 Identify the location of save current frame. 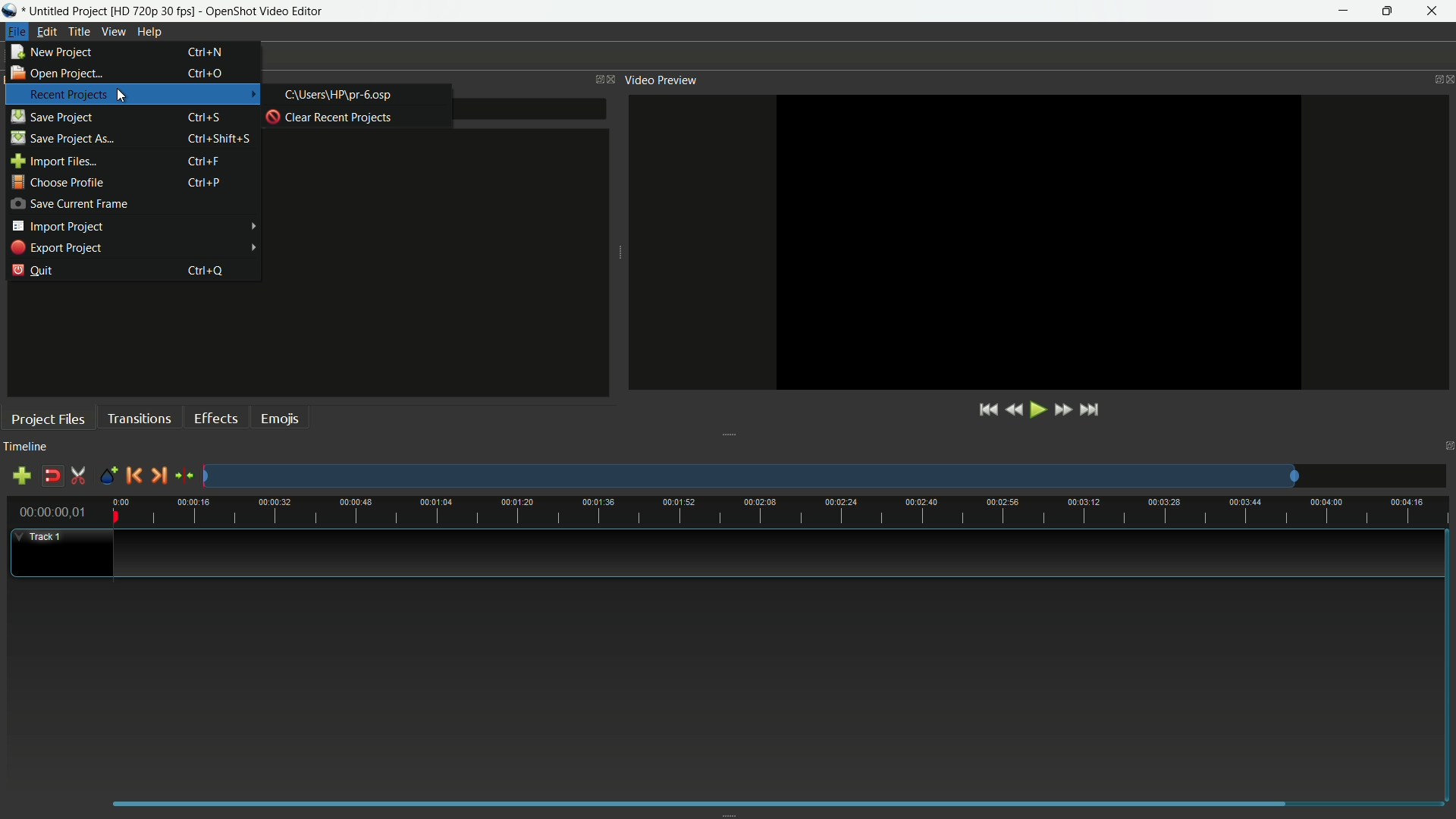
(69, 203).